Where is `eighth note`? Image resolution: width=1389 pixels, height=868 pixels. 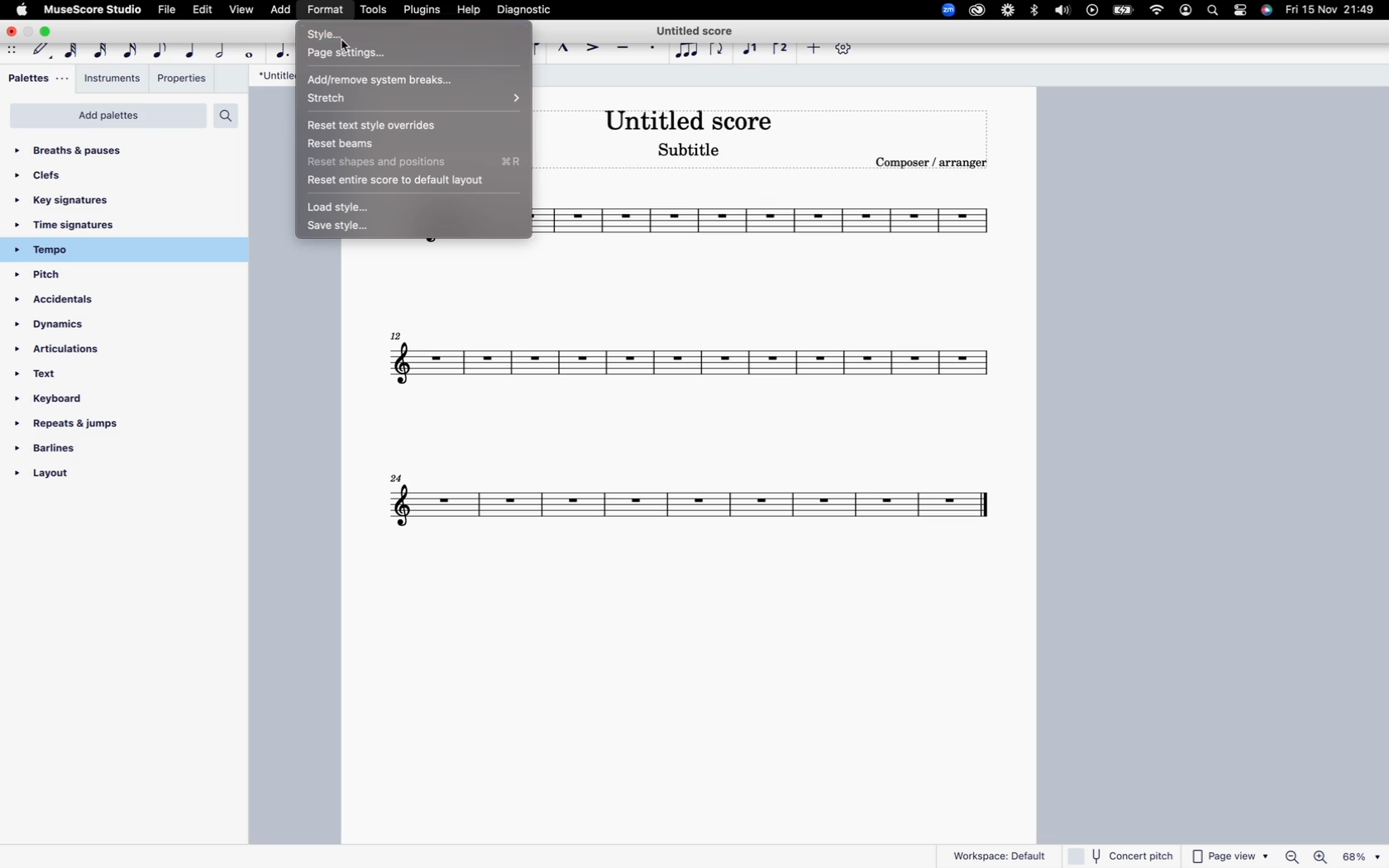 eighth note is located at coordinates (161, 48).